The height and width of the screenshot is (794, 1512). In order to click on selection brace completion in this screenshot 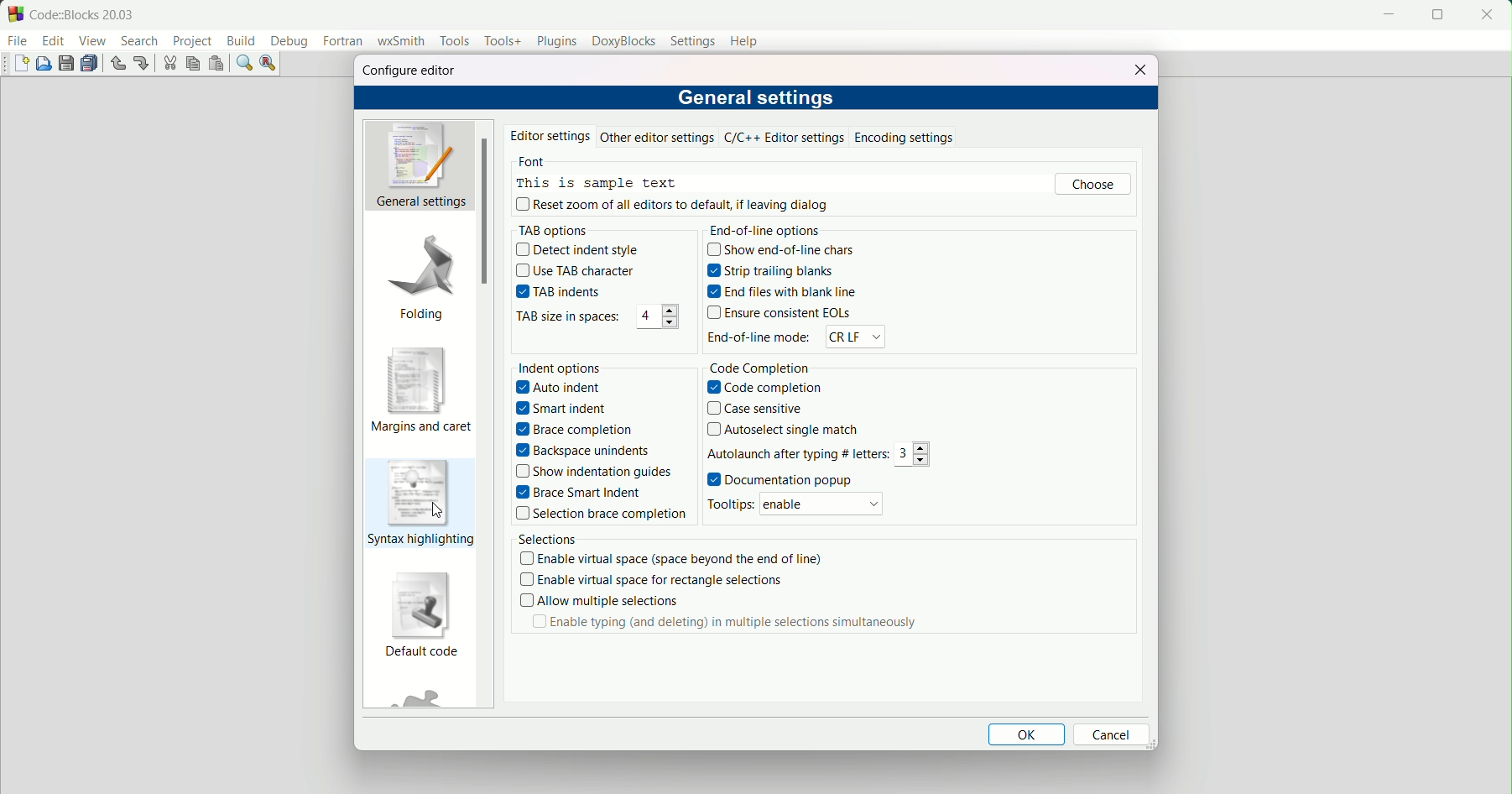, I will do `click(602, 514)`.